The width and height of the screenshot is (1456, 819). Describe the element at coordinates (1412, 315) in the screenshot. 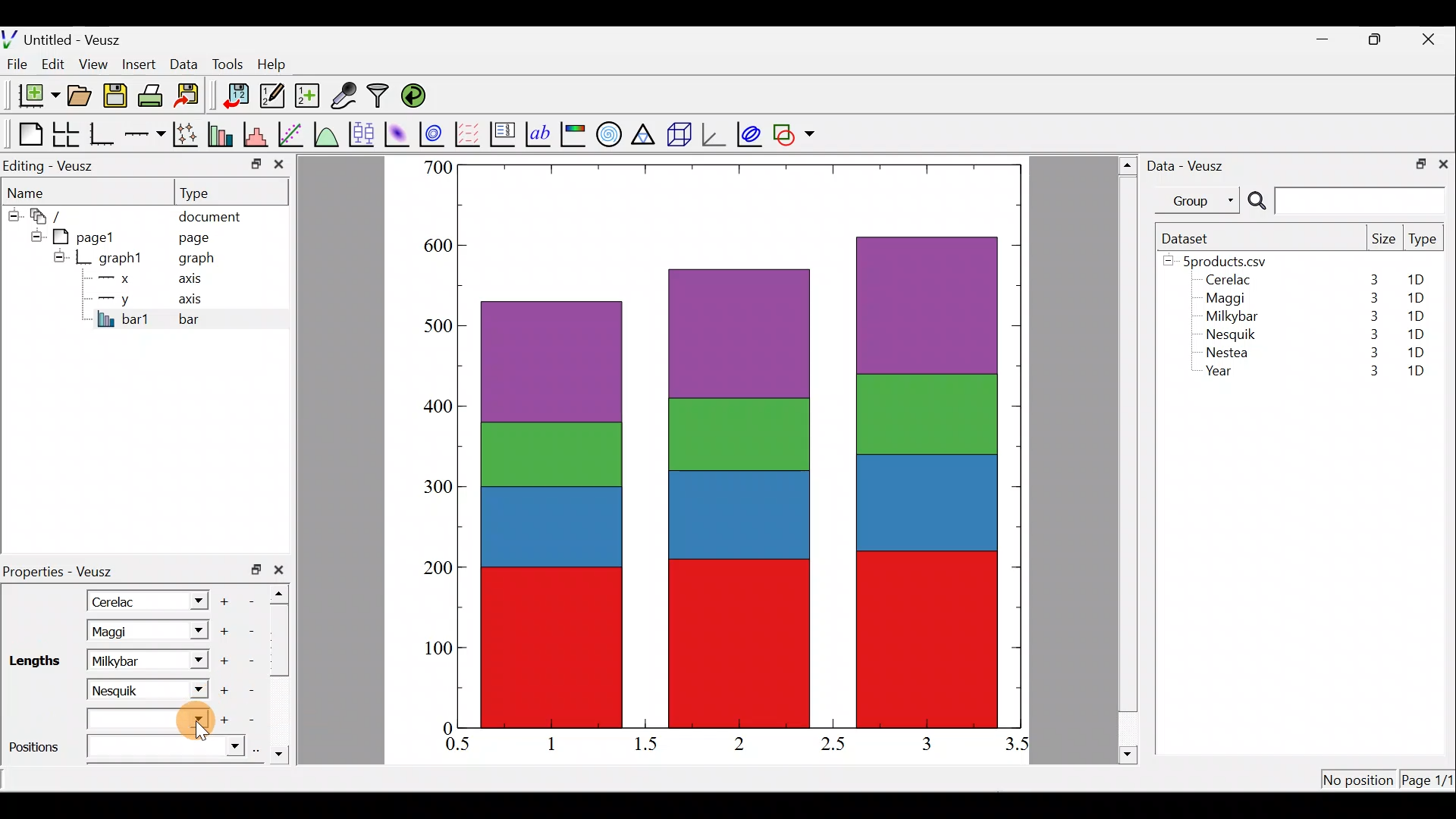

I see `1D` at that location.